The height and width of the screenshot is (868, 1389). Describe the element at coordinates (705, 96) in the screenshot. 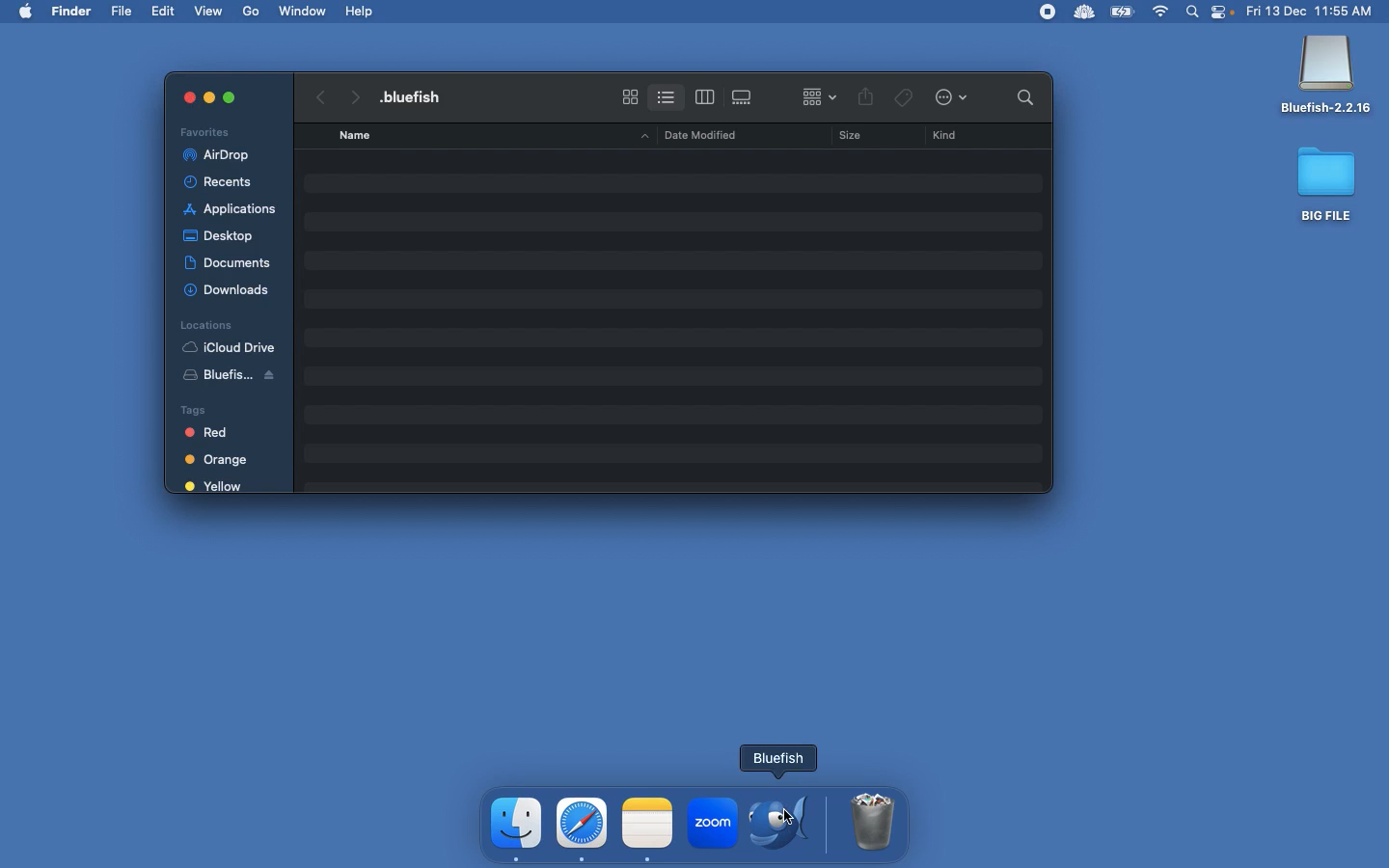

I see `Column View` at that location.